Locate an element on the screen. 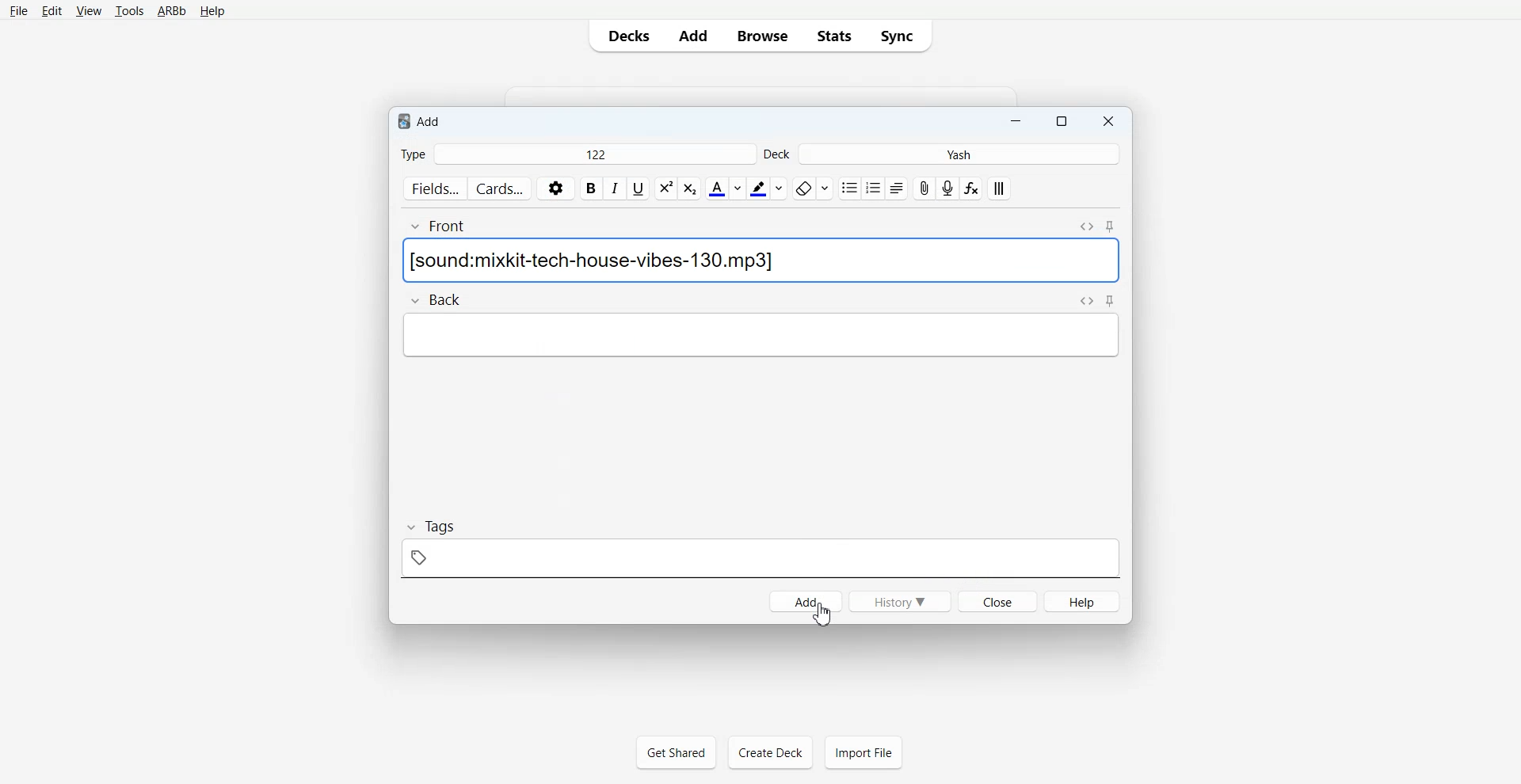 The height and width of the screenshot is (784, 1521). deck is located at coordinates (780, 152).